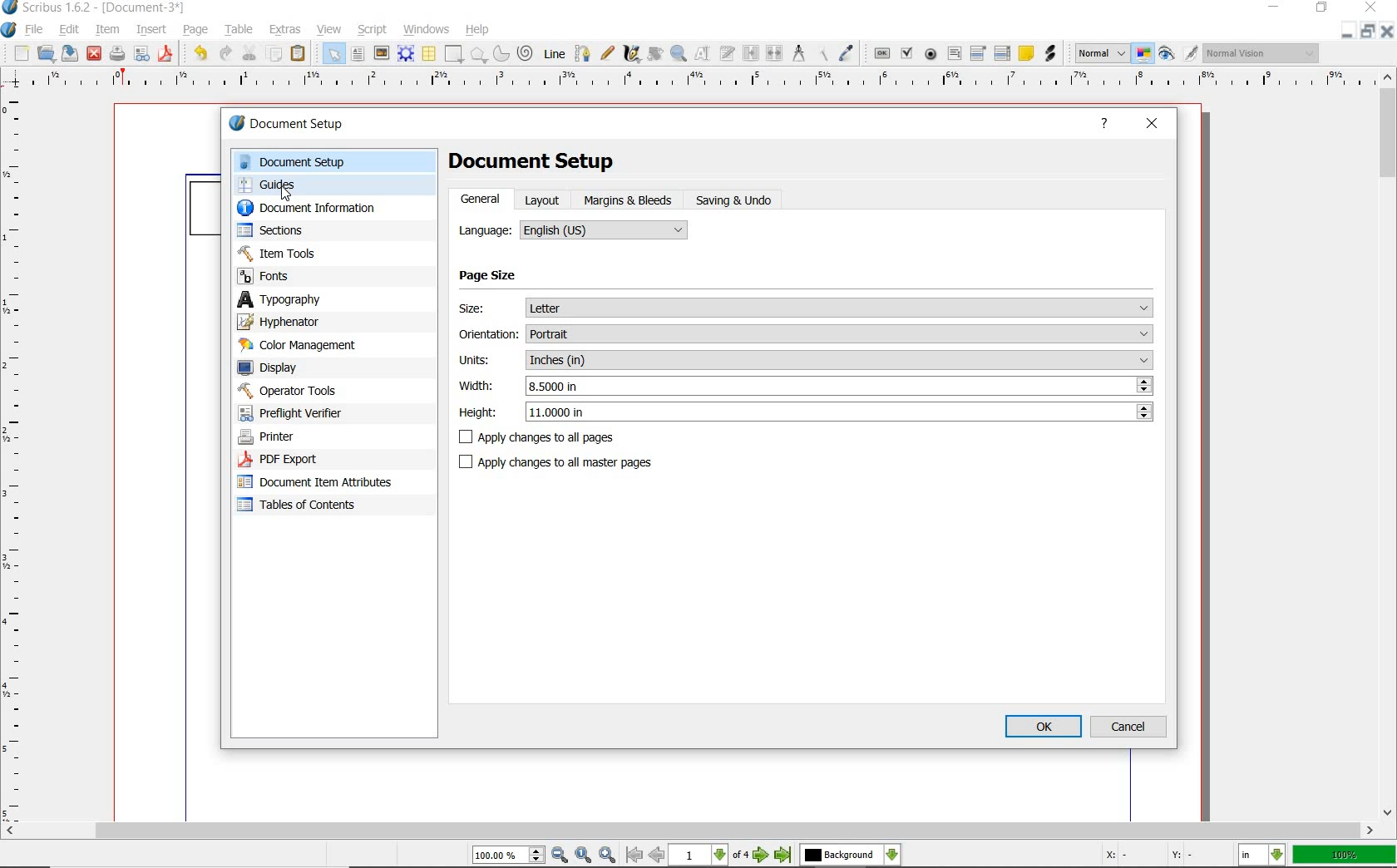 Image resolution: width=1397 pixels, height=868 pixels. What do you see at coordinates (1129, 727) in the screenshot?
I see `cancel` at bounding box center [1129, 727].